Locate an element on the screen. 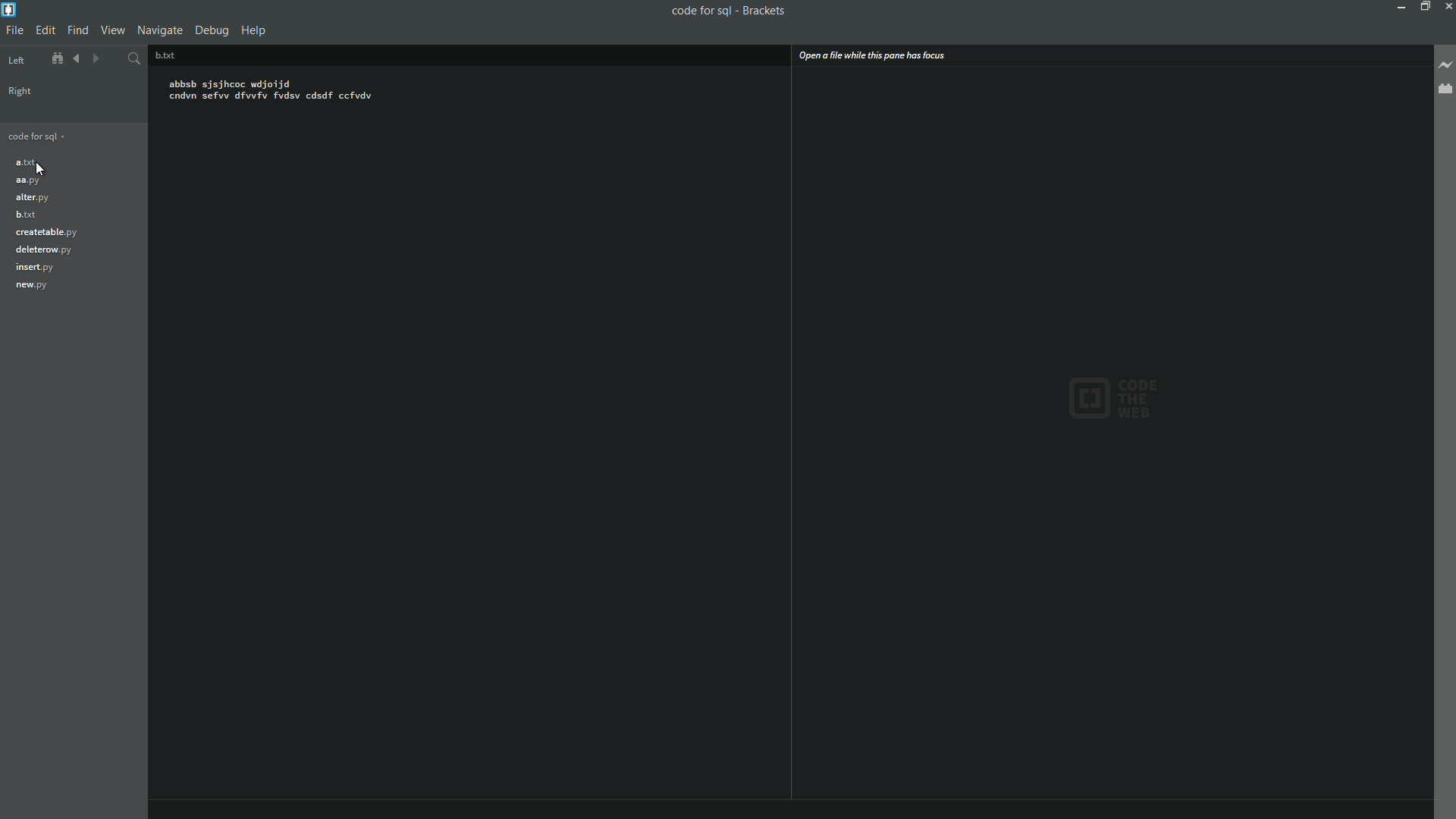 Image resolution: width=1456 pixels, height=819 pixels. Navigate menu is located at coordinates (160, 30).